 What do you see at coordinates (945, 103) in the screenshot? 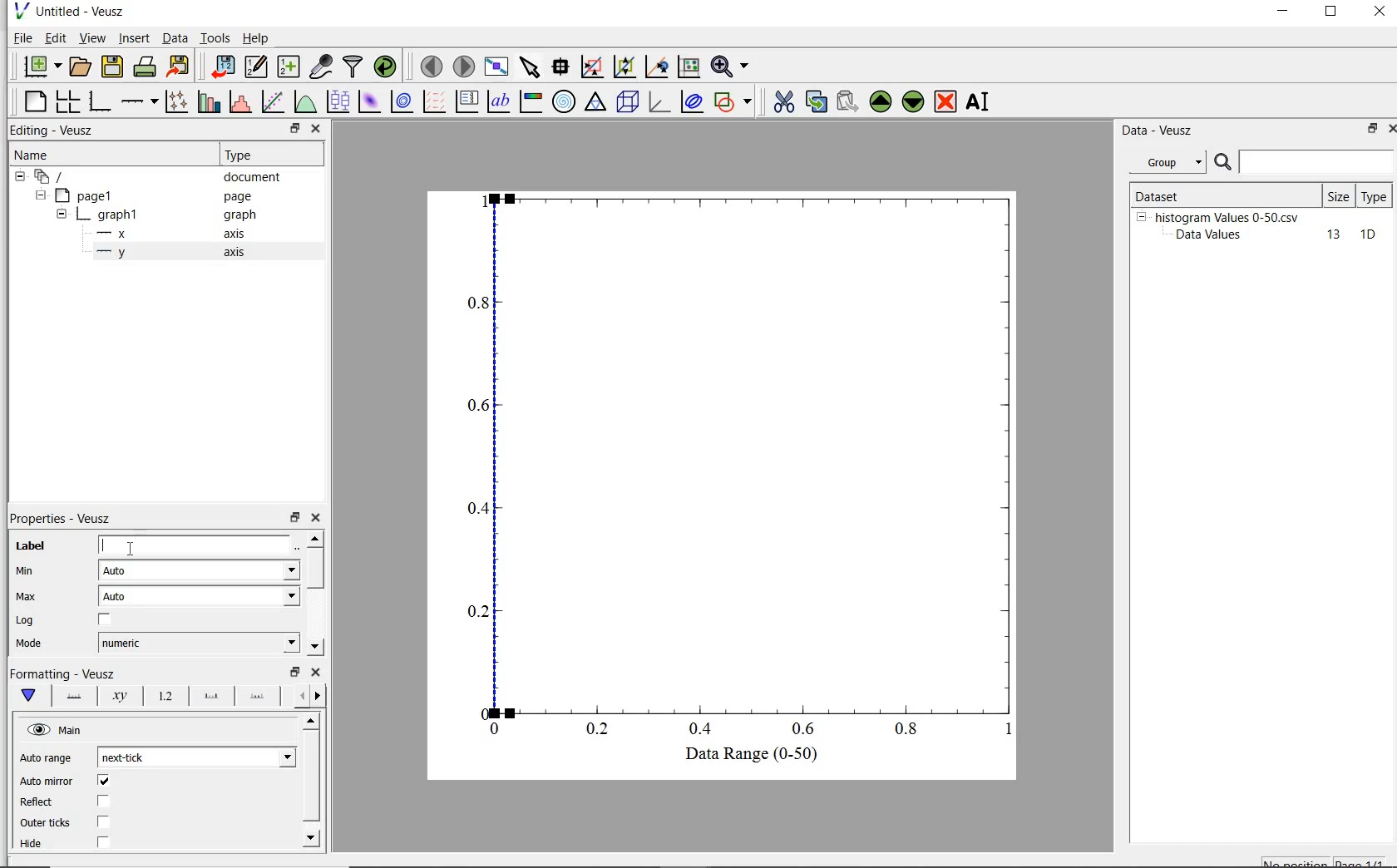
I see `remove the selected widget` at bounding box center [945, 103].